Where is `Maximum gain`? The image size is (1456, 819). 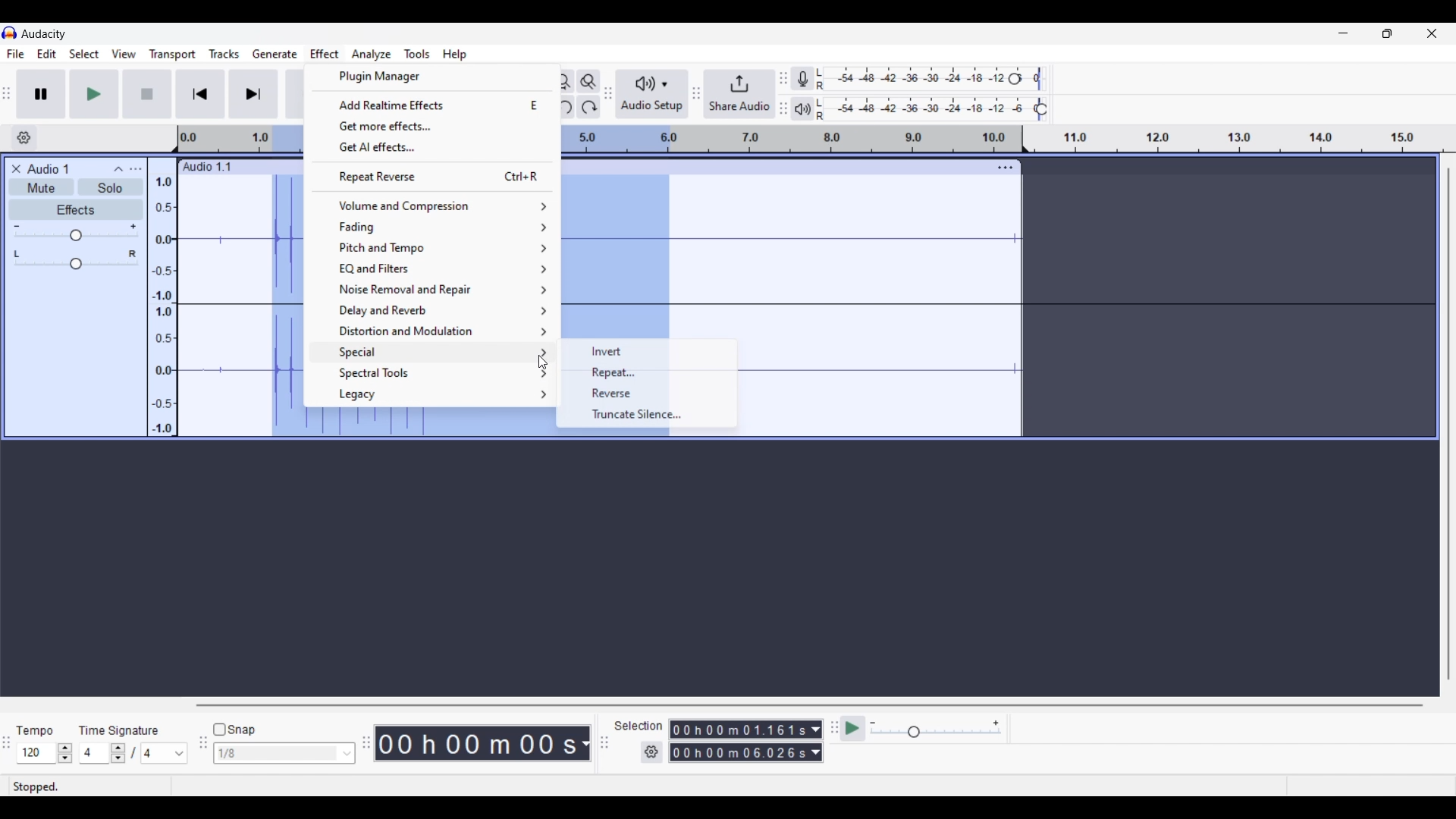 Maximum gain is located at coordinates (133, 226).